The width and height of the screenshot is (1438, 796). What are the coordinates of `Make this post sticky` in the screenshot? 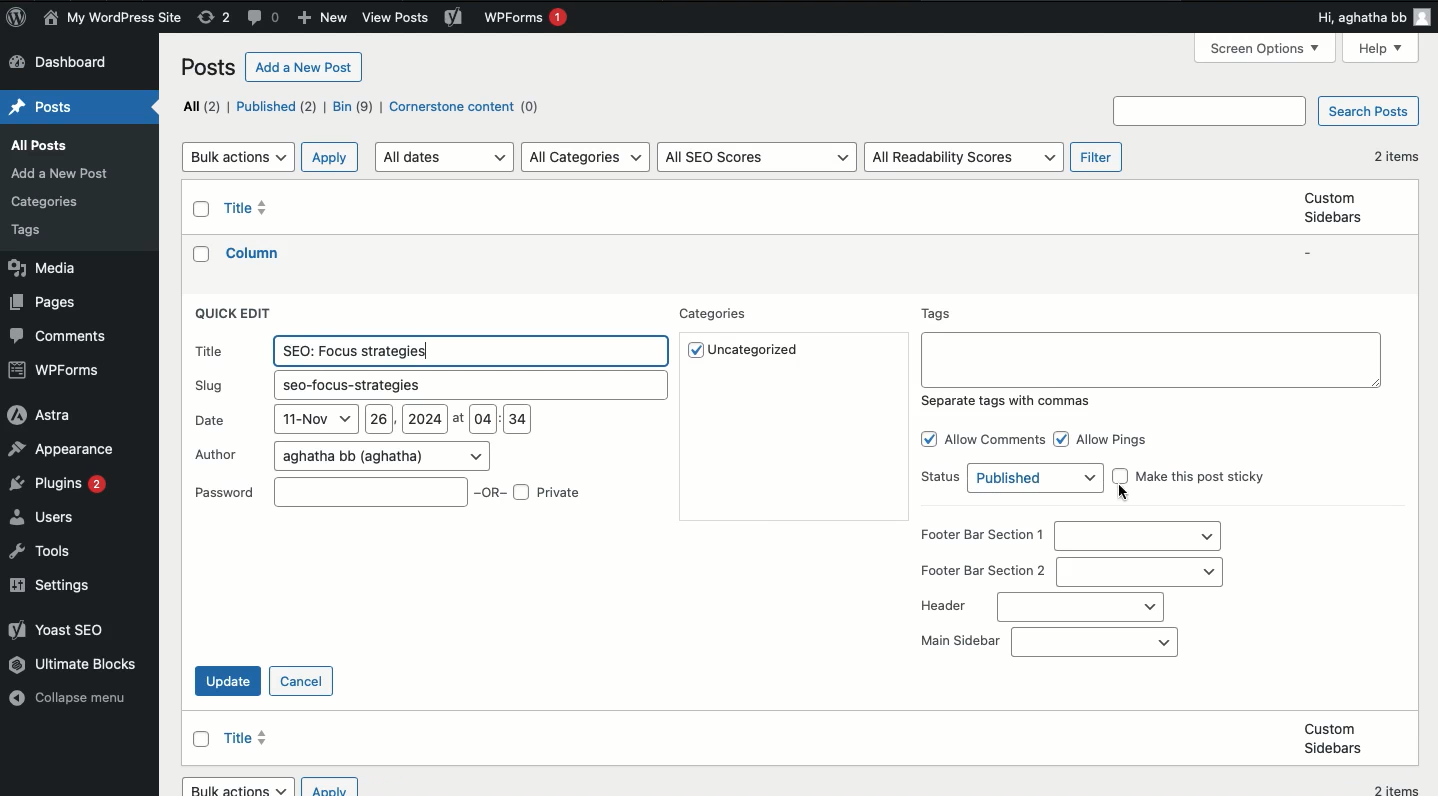 It's located at (1205, 479).